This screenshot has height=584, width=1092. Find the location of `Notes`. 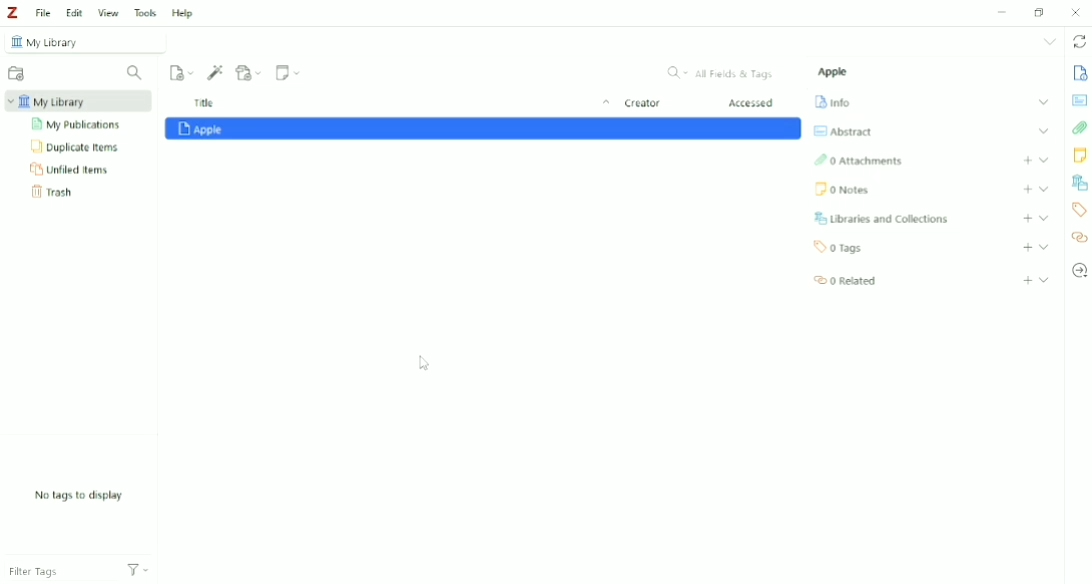

Notes is located at coordinates (1080, 157).